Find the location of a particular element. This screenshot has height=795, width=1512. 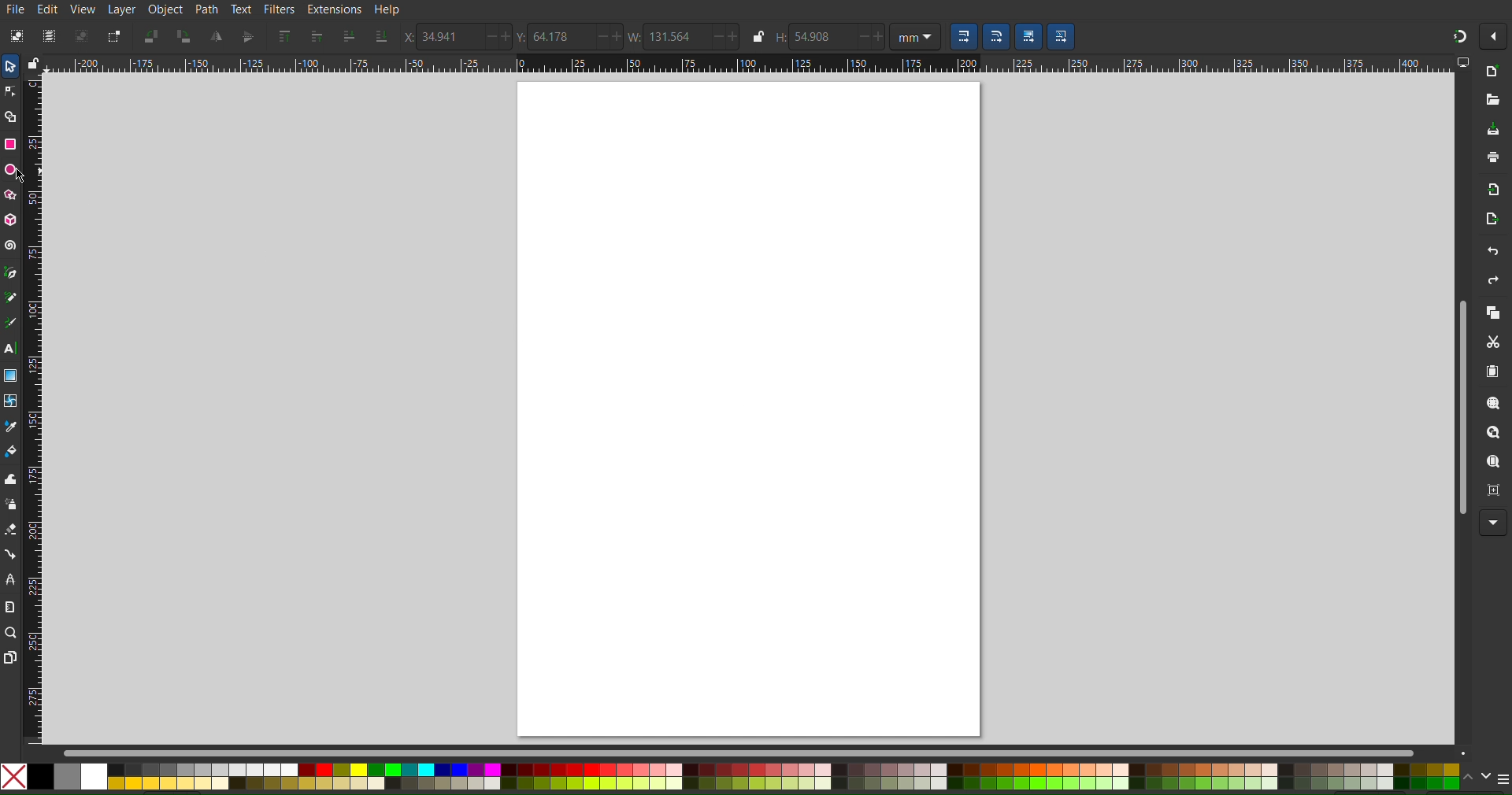

Selection Setting is located at coordinates (1061, 36).